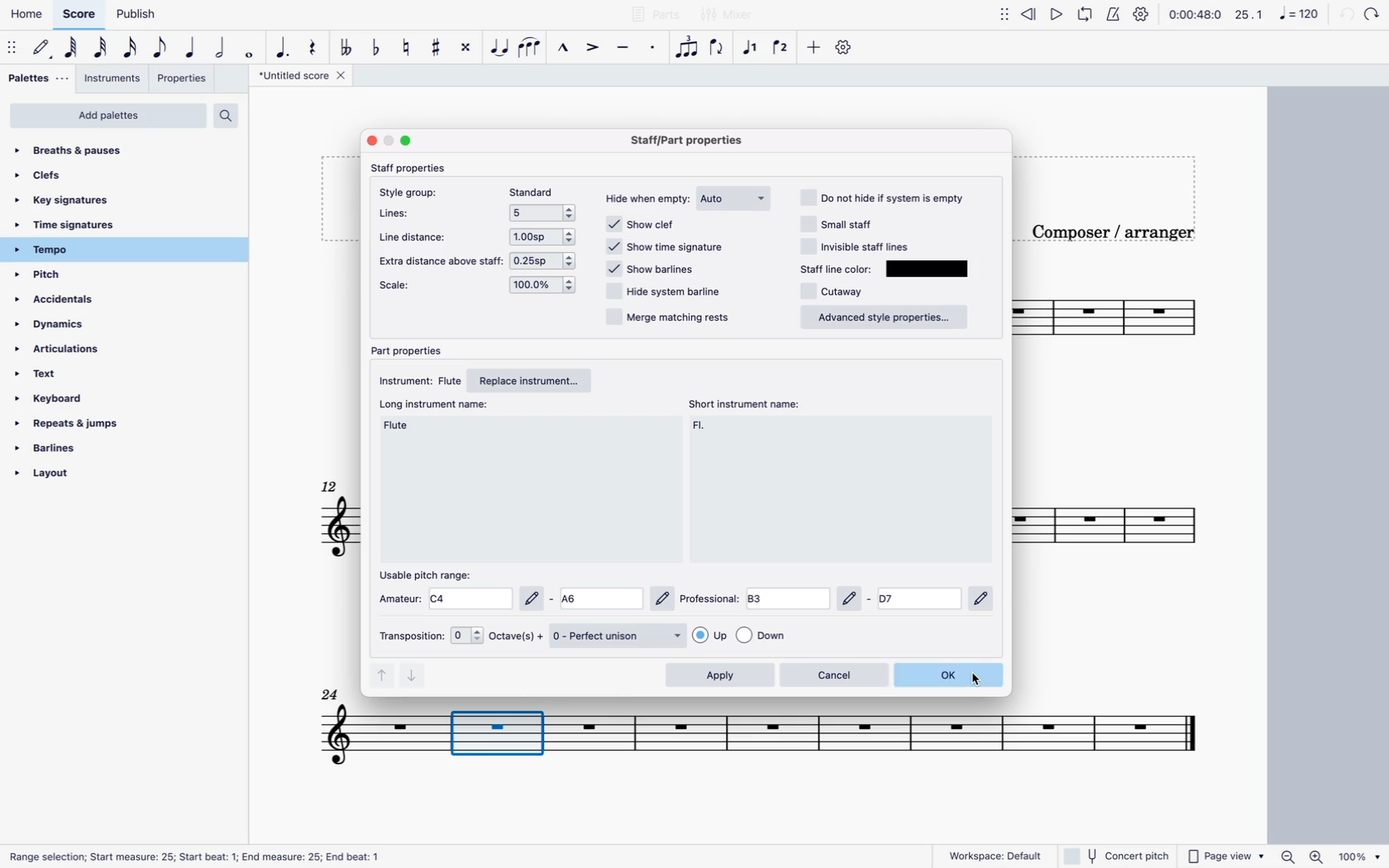  What do you see at coordinates (1226, 856) in the screenshot?
I see `page view` at bounding box center [1226, 856].